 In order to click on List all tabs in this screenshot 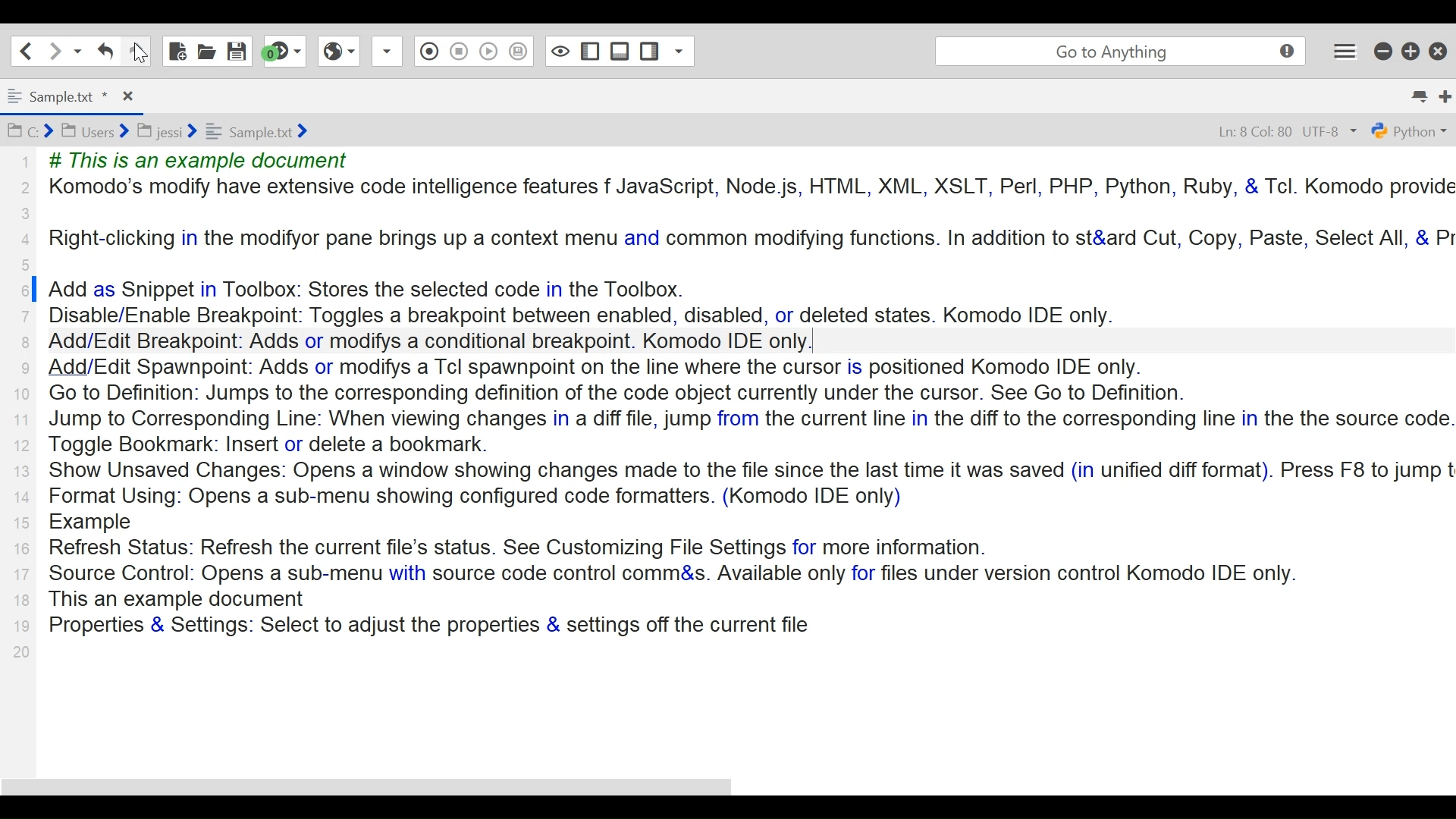, I will do `click(1419, 96)`.